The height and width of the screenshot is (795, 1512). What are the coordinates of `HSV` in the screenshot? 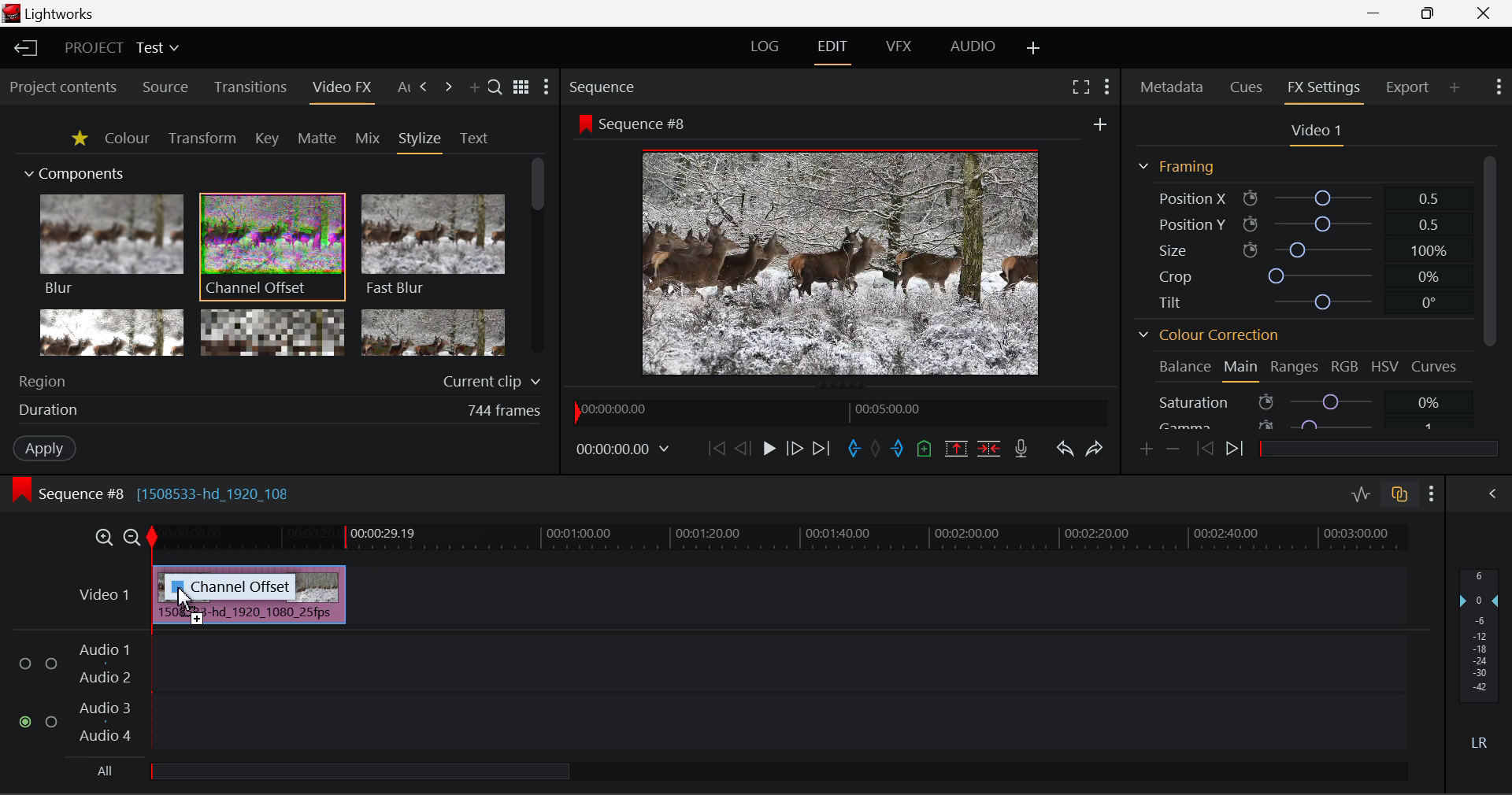 It's located at (1384, 366).